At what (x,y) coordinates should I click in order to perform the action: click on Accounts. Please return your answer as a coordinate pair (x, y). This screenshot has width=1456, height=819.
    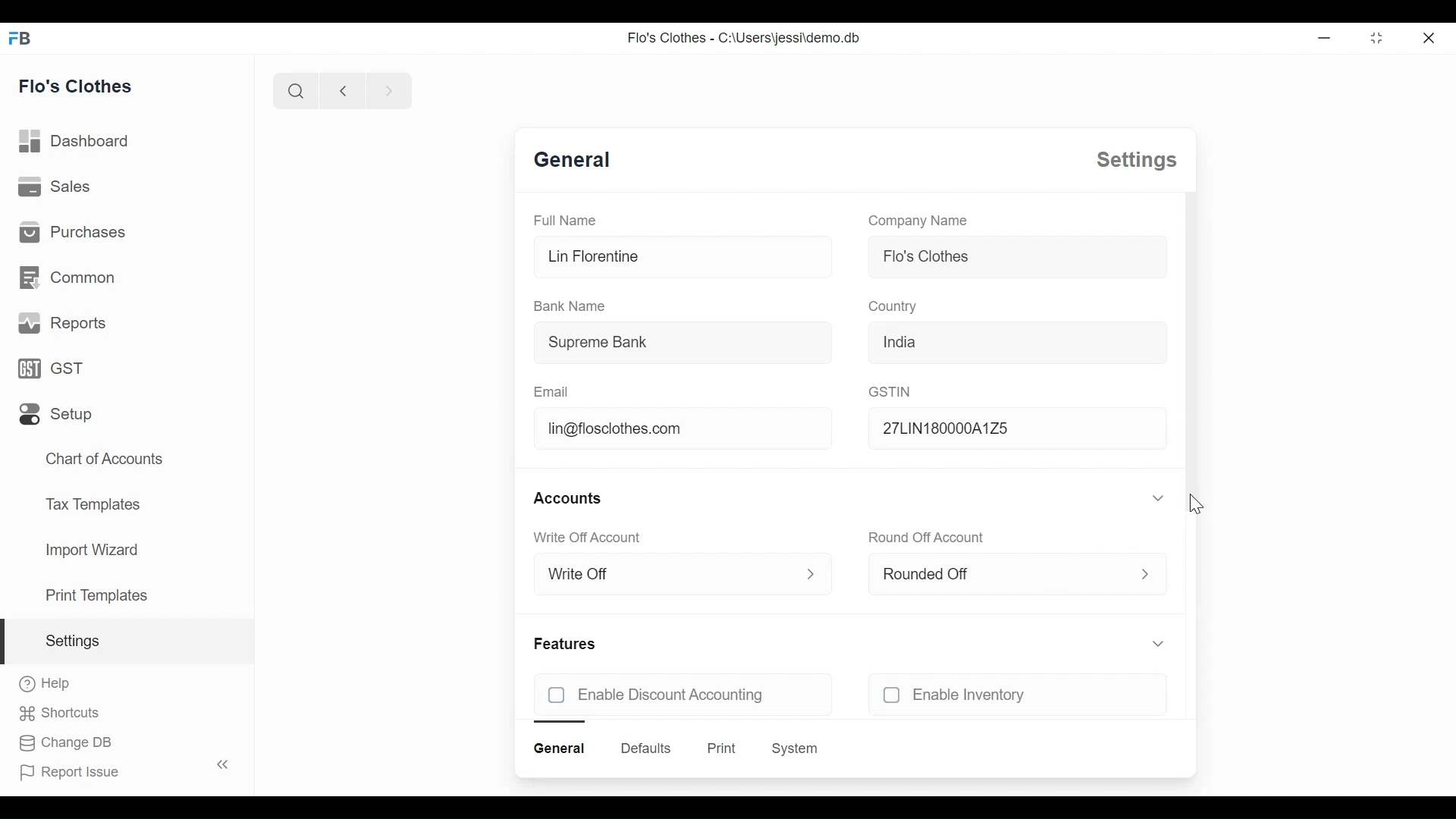
    Looking at the image, I should click on (569, 497).